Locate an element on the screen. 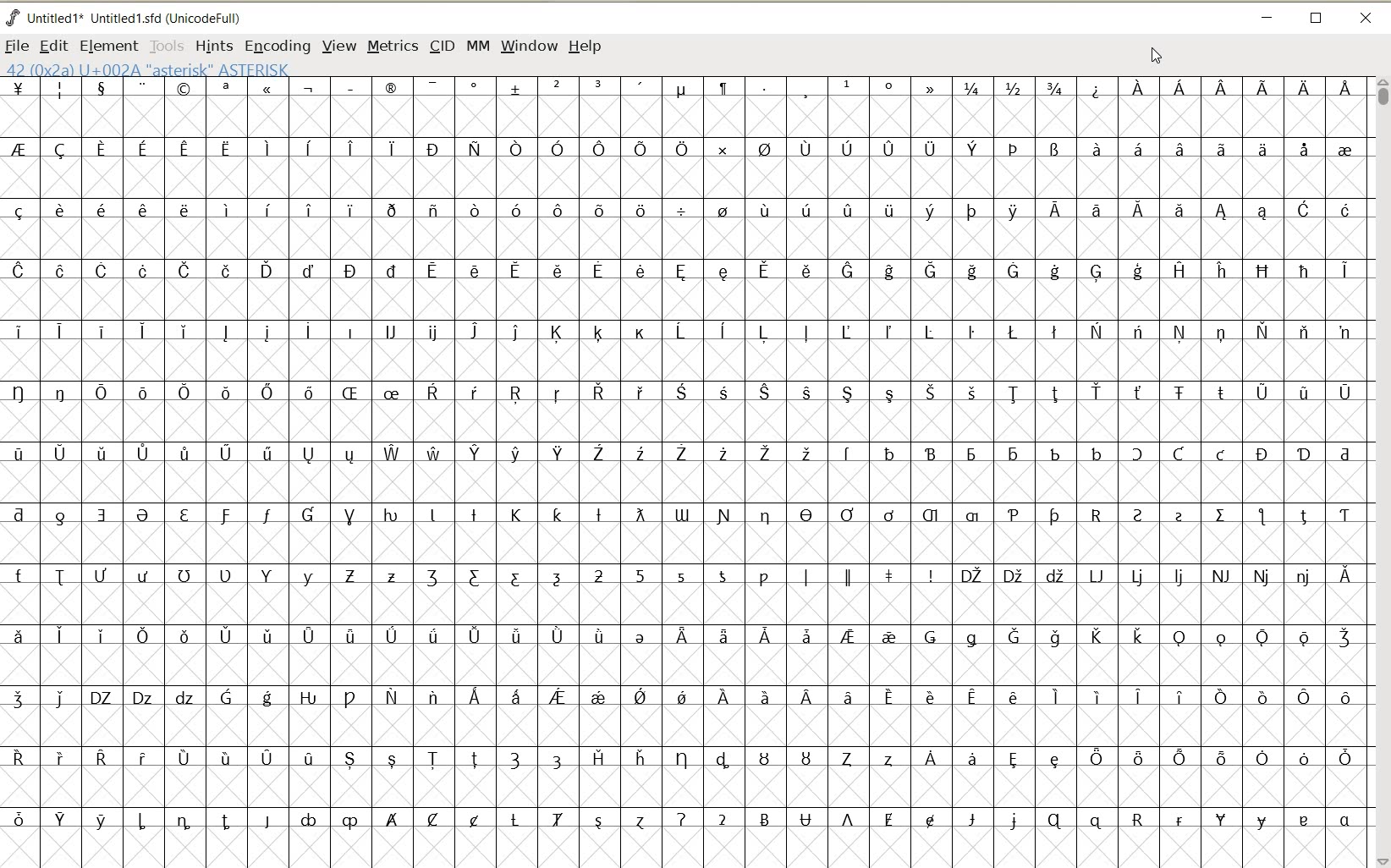  CLOSE is located at coordinates (1365, 18).